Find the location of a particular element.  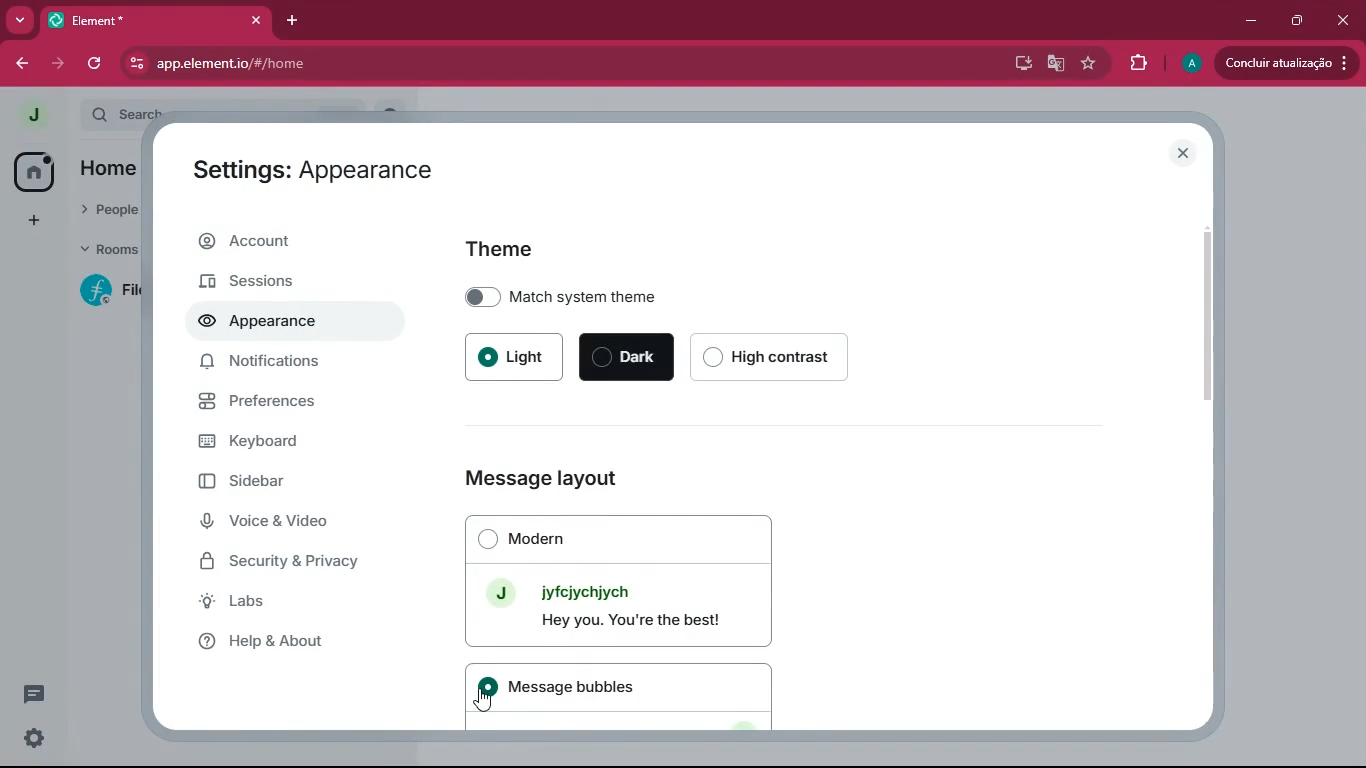

Account is located at coordinates (273, 239).